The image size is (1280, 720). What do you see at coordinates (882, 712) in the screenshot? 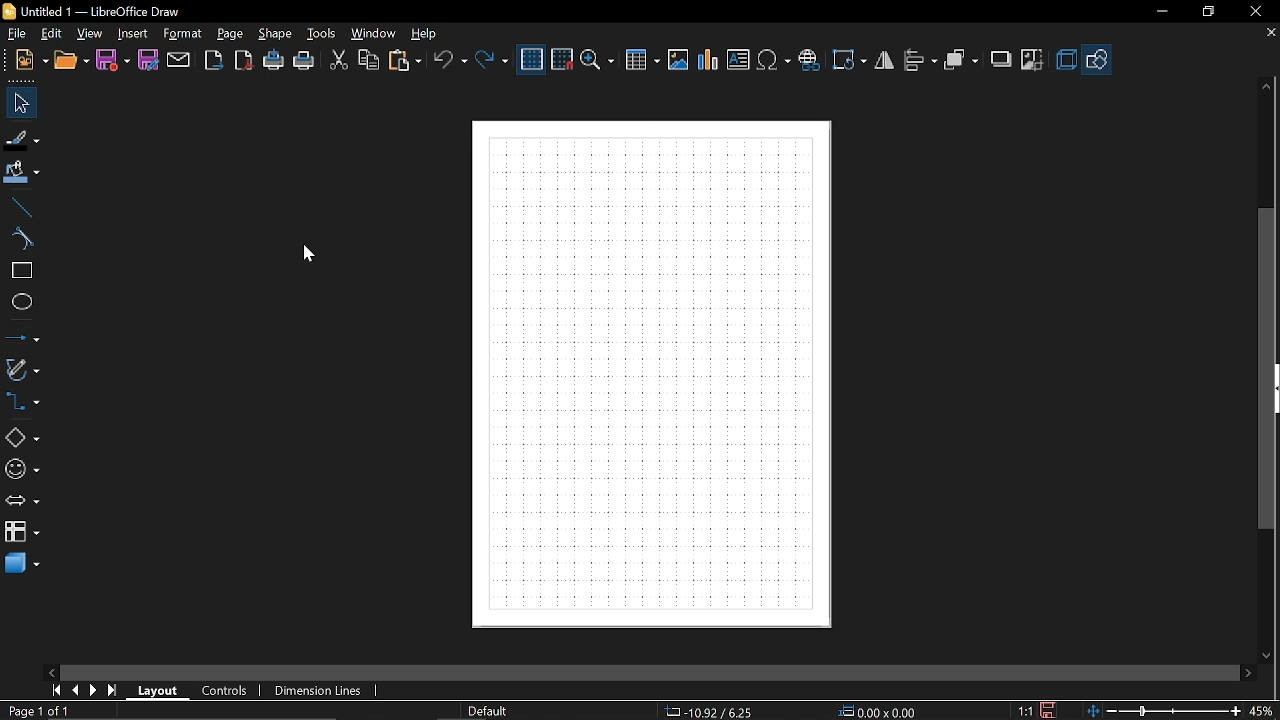
I see `0.00 x 0.00` at bounding box center [882, 712].